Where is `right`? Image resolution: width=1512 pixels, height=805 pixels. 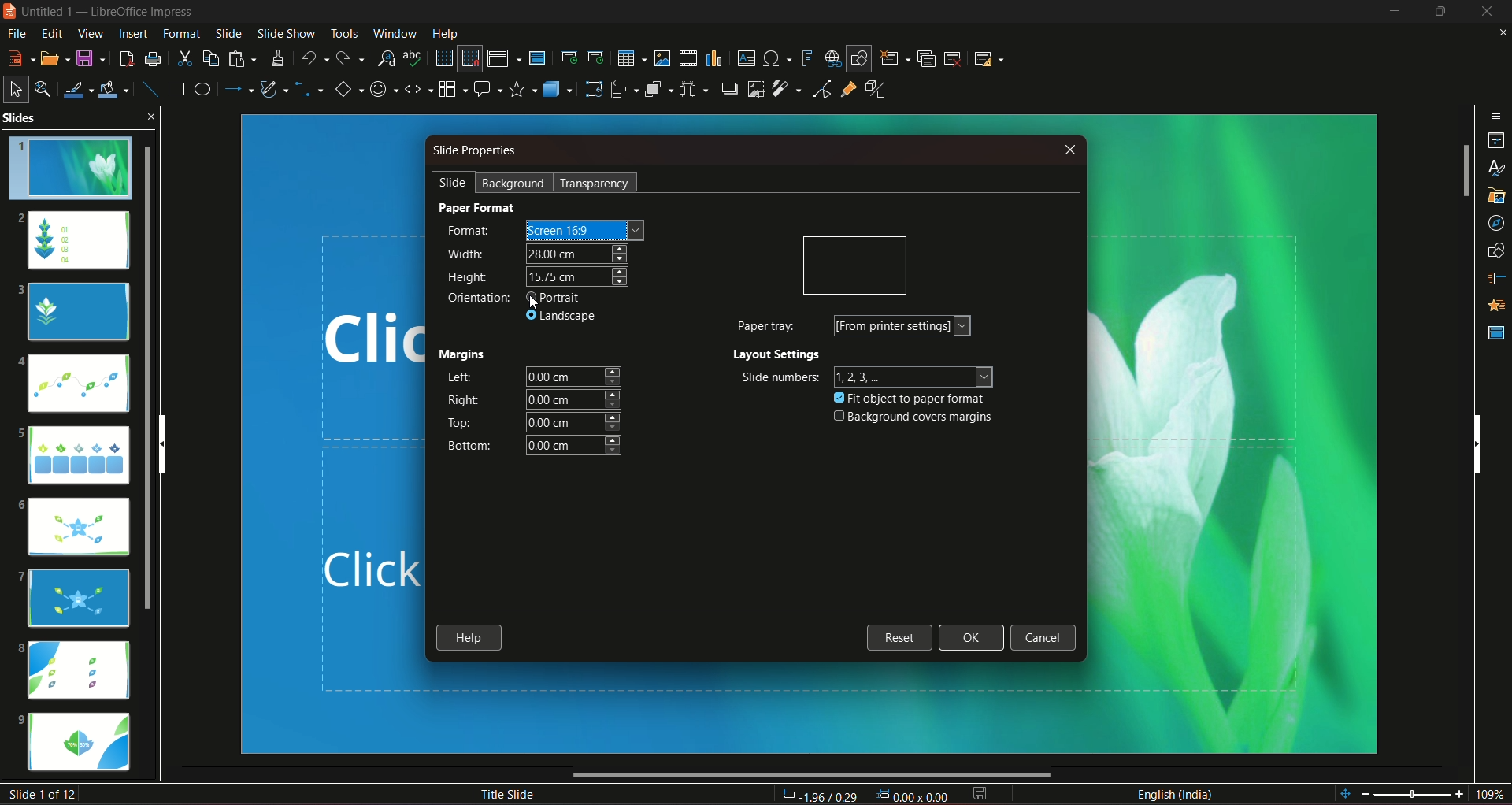
right is located at coordinates (461, 400).